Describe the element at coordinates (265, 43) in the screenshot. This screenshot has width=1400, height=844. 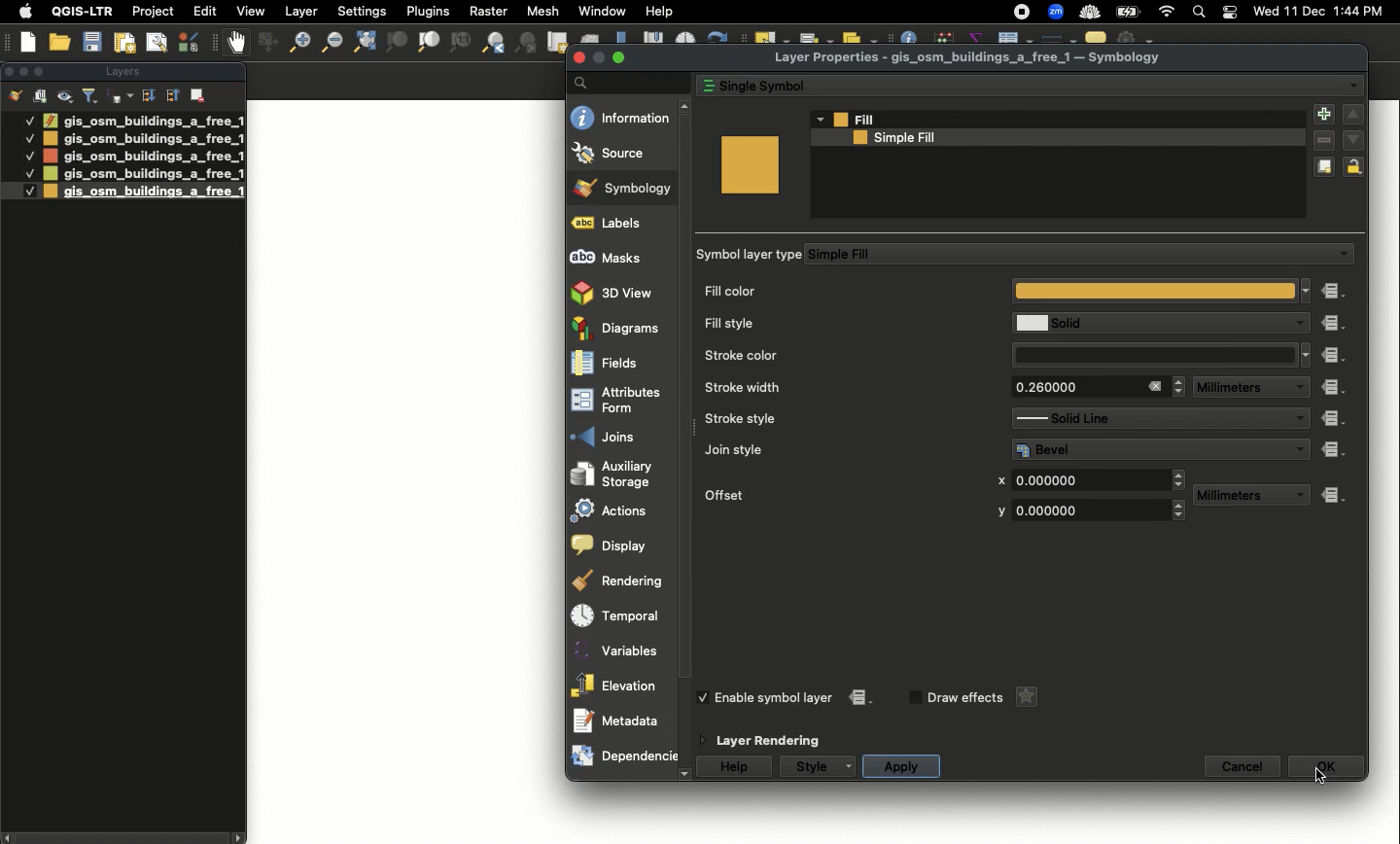
I see `Style manager` at that location.